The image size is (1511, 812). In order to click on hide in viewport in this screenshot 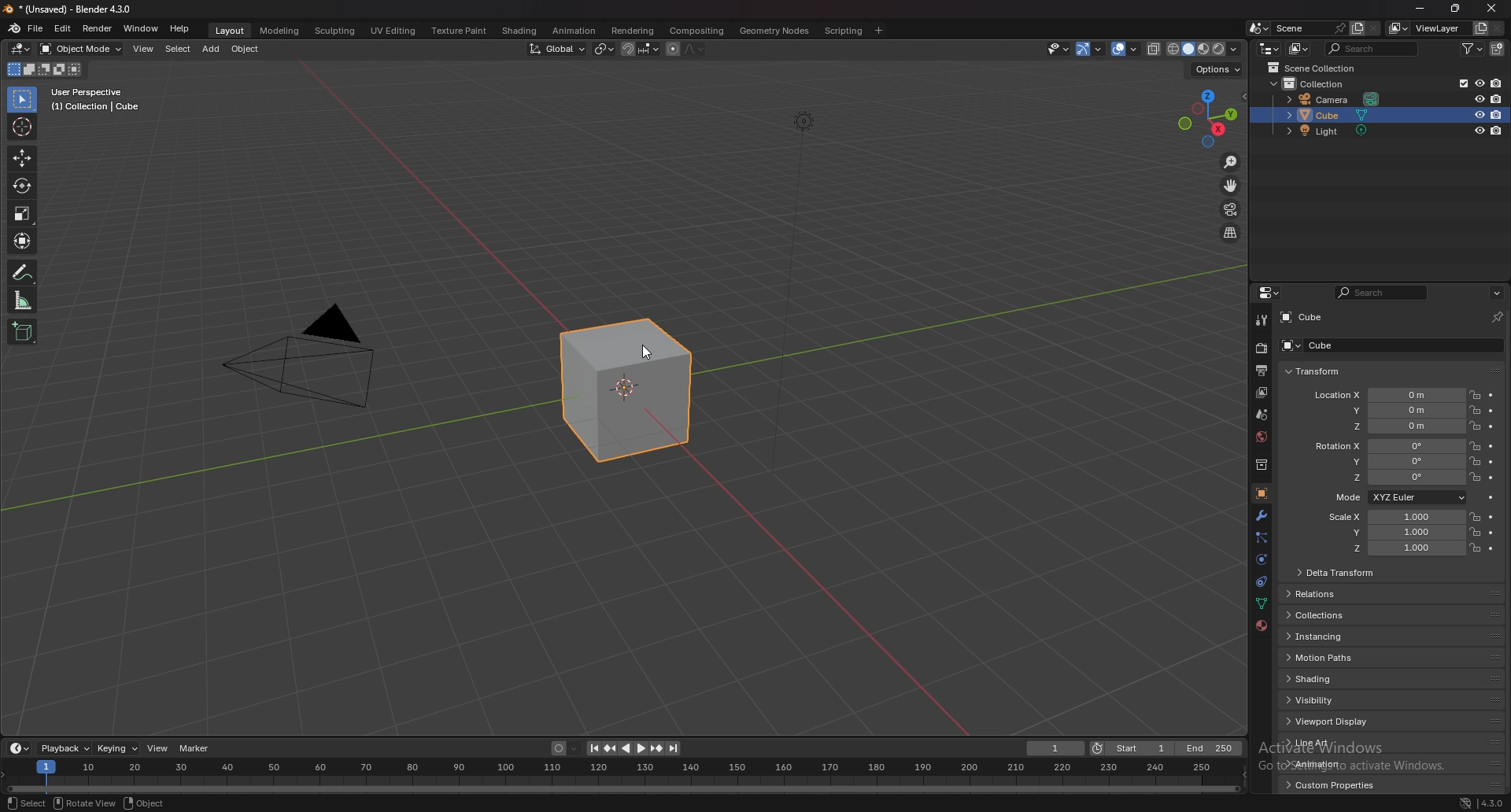, I will do `click(1479, 97)`.